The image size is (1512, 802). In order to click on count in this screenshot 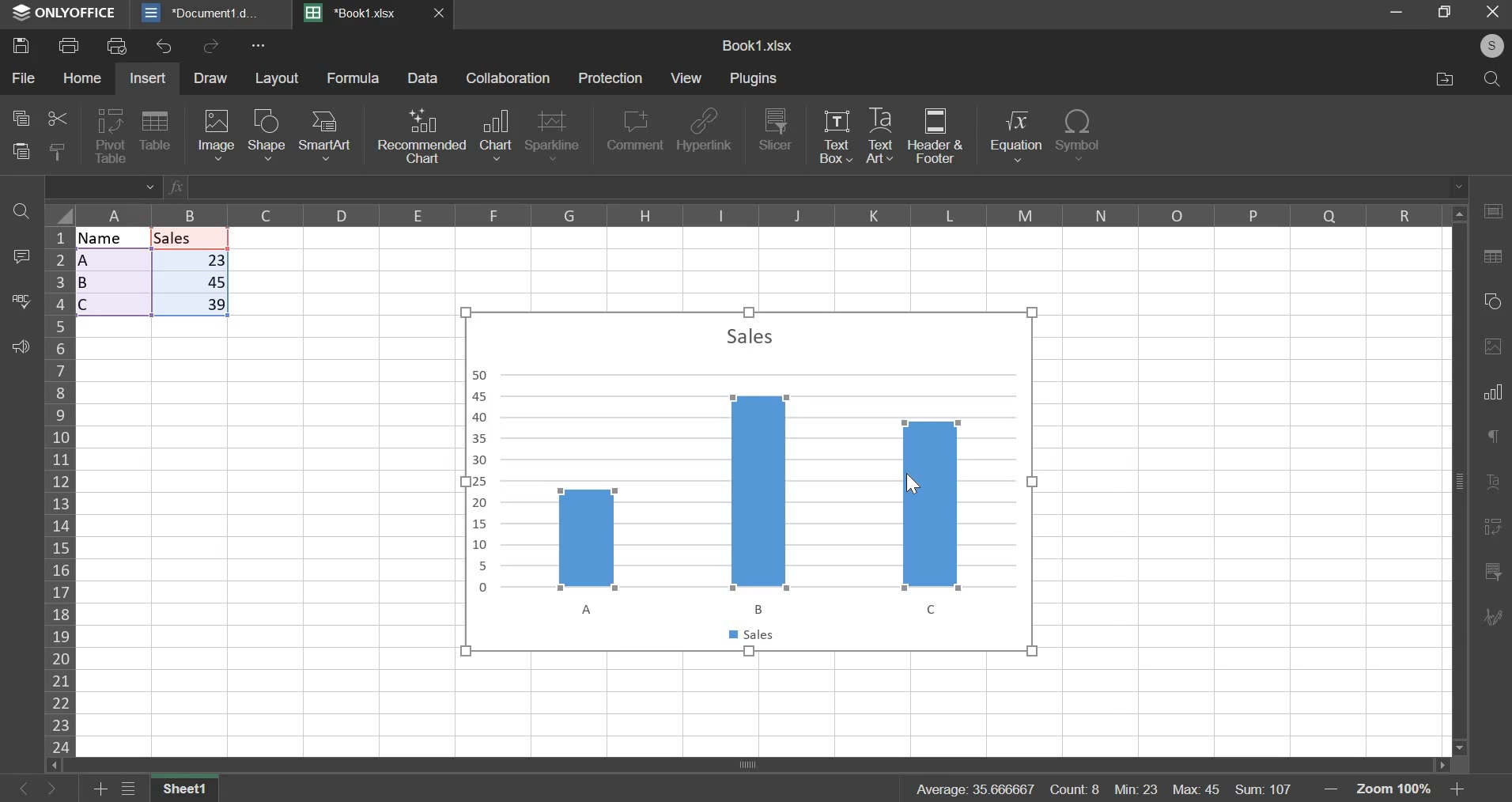, I will do `click(1075, 787)`.